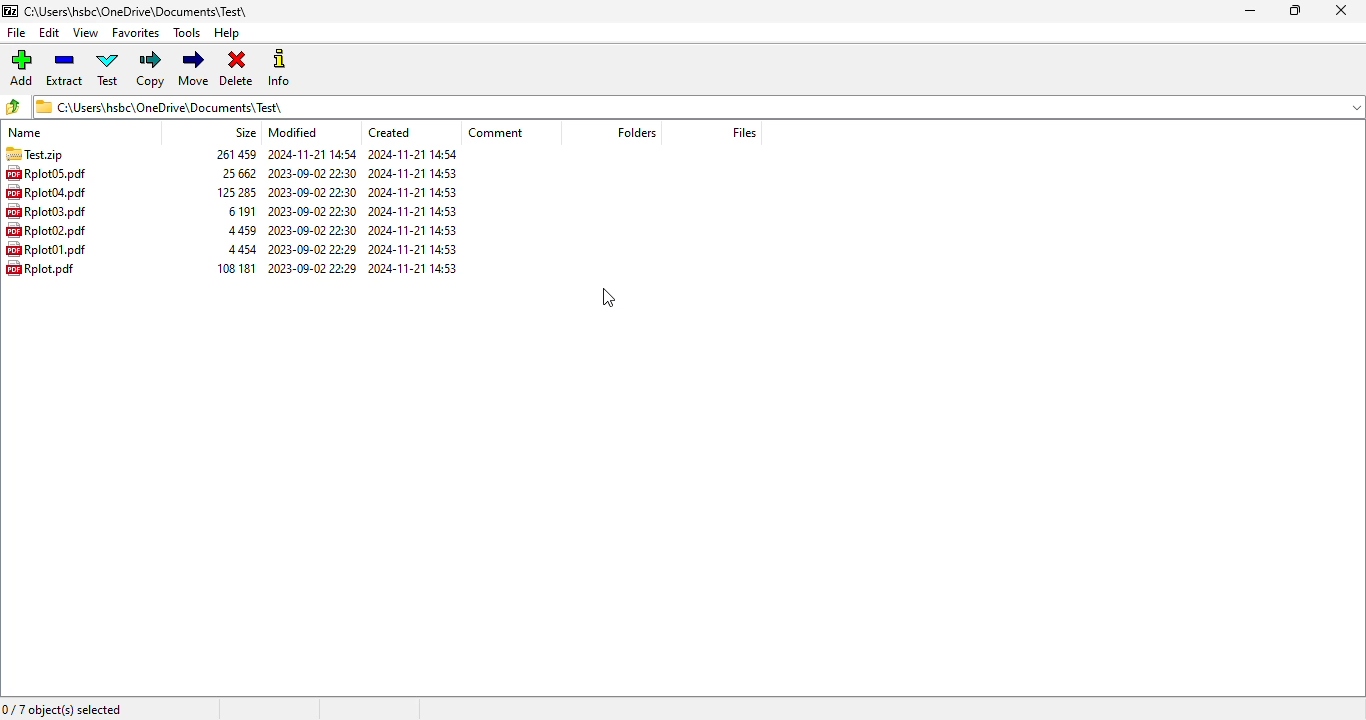  I want to click on modified date & time, so click(314, 211).